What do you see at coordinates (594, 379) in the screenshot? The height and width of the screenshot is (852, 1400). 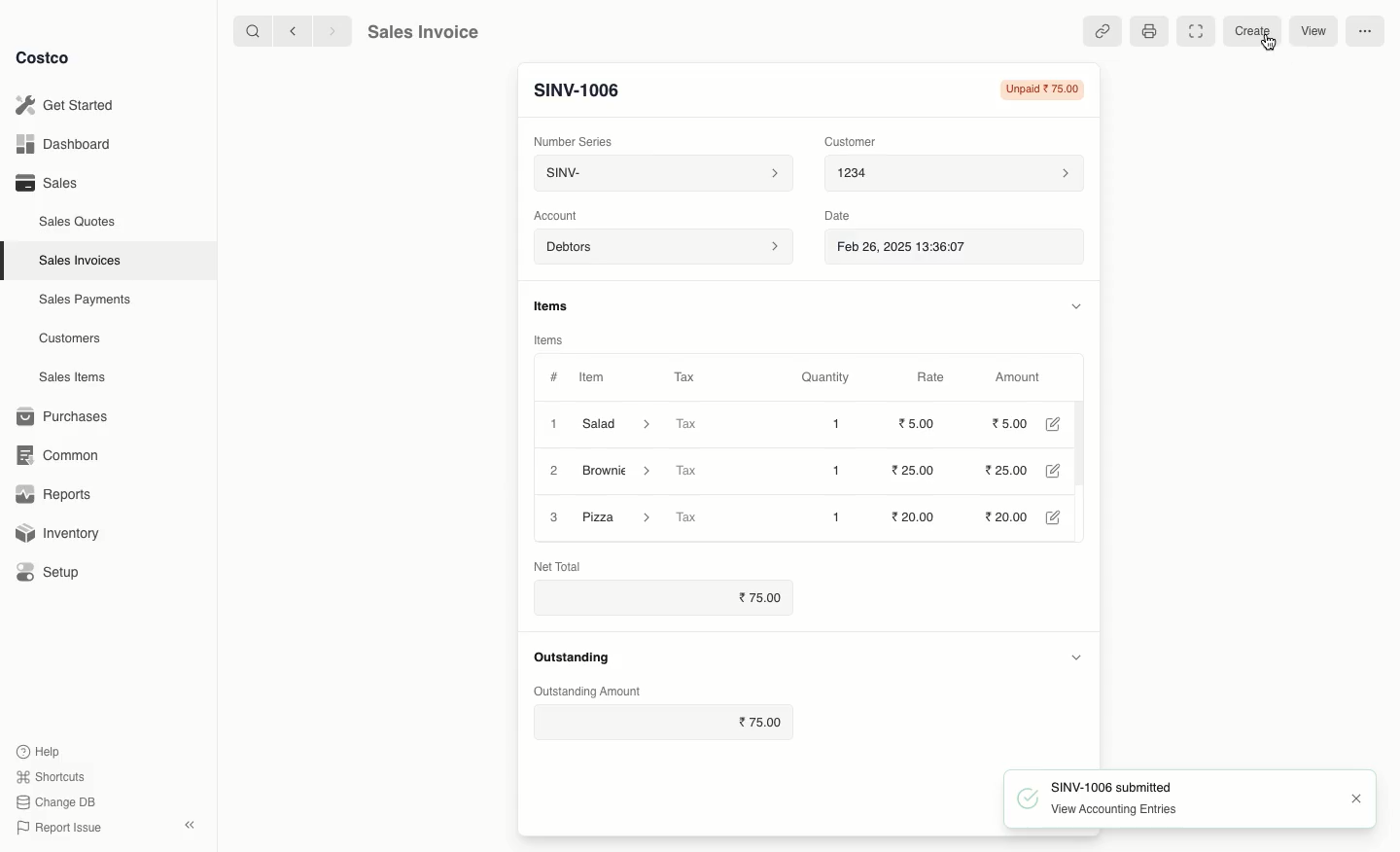 I see `Item` at bounding box center [594, 379].